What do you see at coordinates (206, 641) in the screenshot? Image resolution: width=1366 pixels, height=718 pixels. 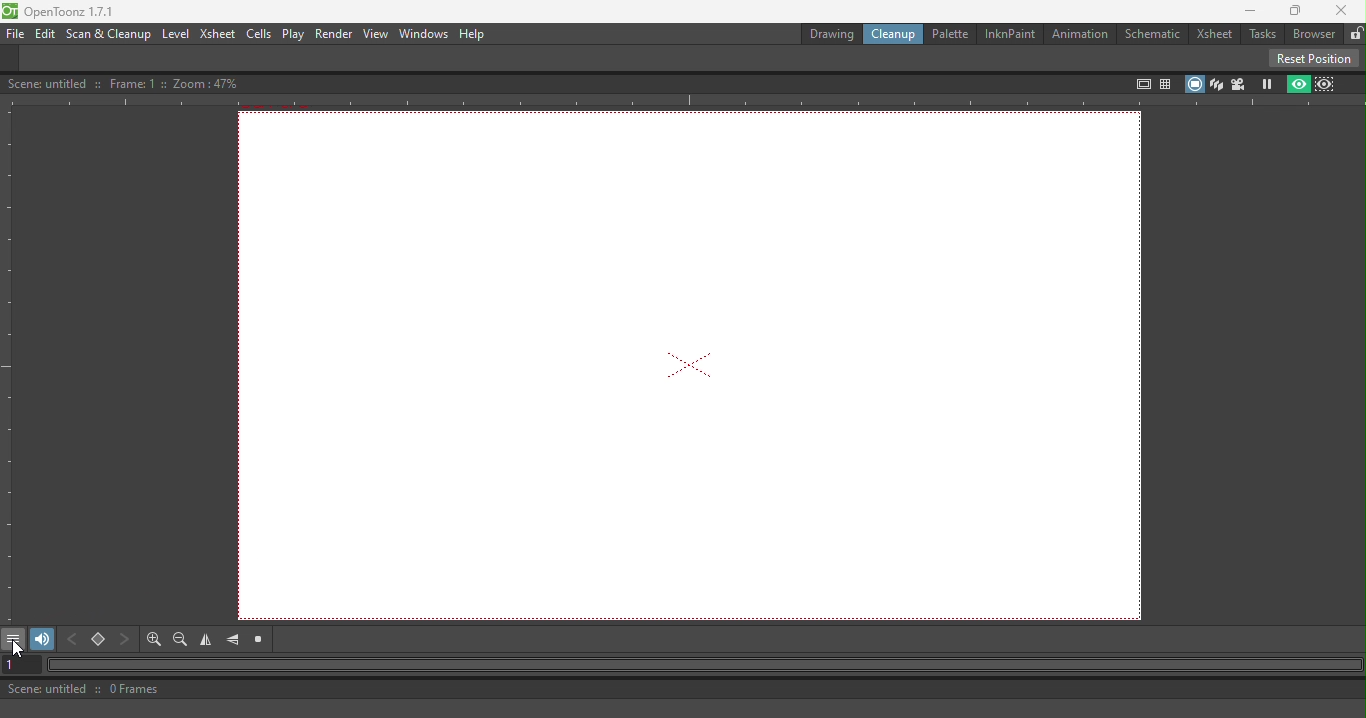 I see `Flip horizontally` at bounding box center [206, 641].